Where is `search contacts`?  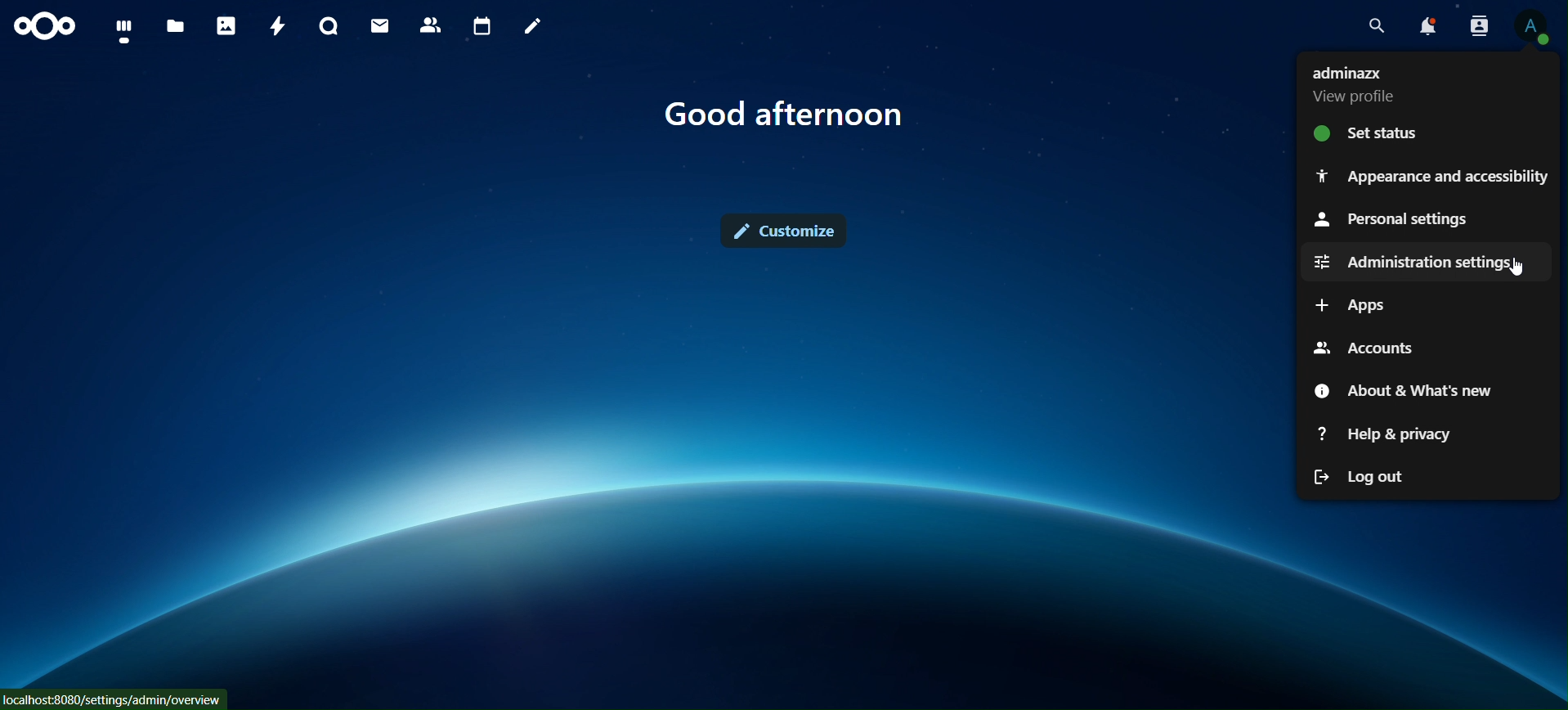 search contacts is located at coordinates (1474, 25).